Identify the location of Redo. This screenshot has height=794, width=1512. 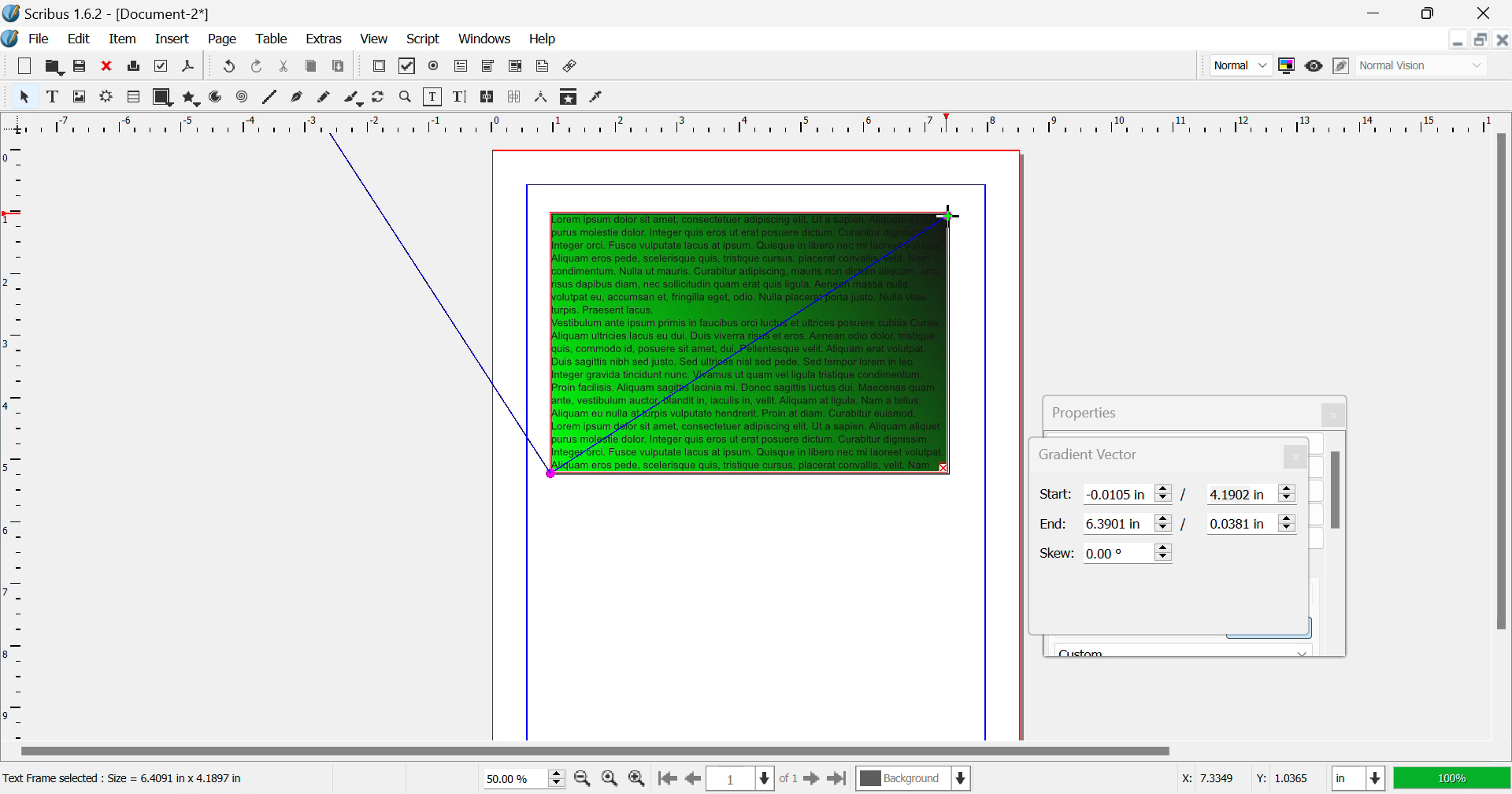
(227, 68).